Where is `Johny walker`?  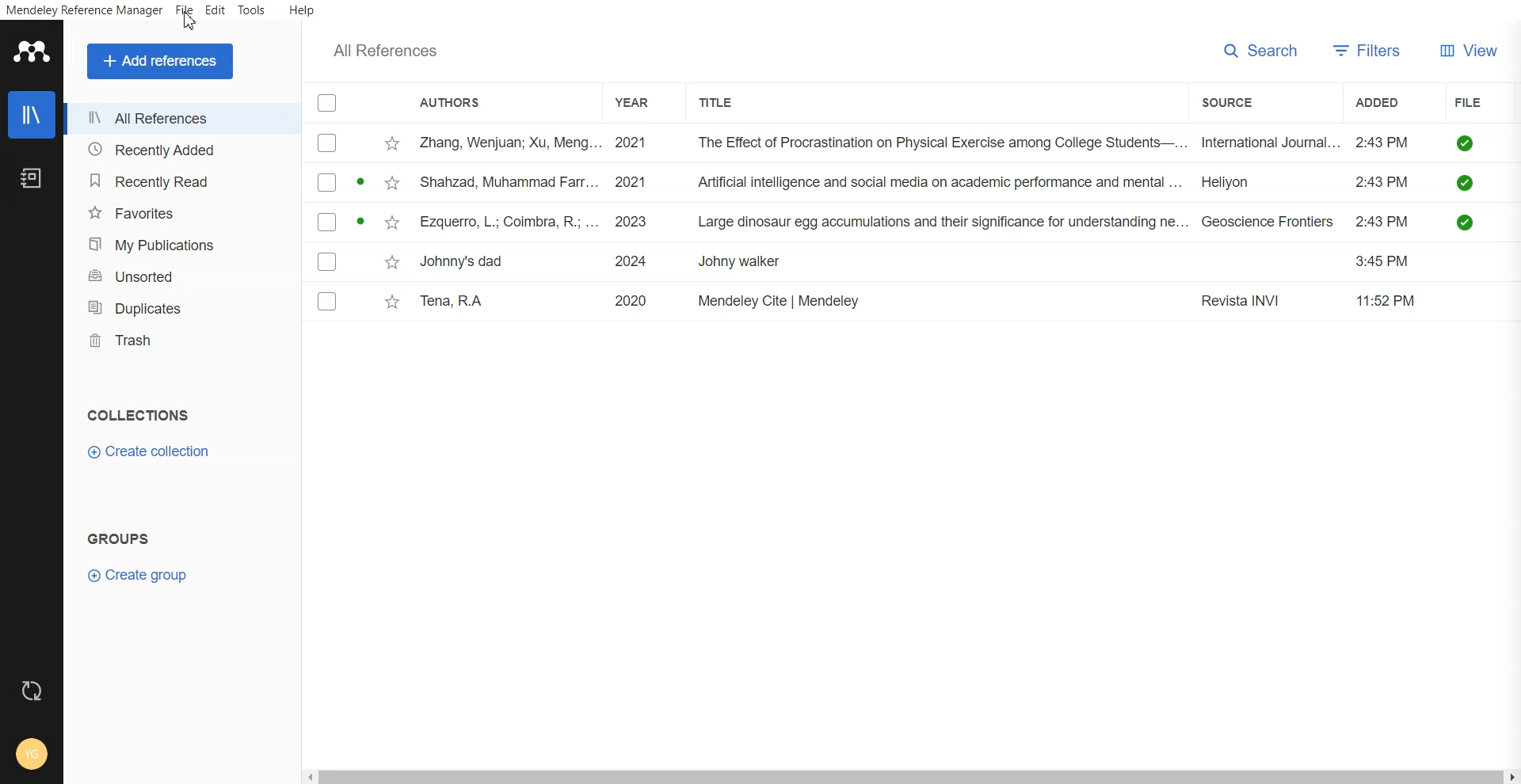
Johny walker is located at coordinates (741, 263).